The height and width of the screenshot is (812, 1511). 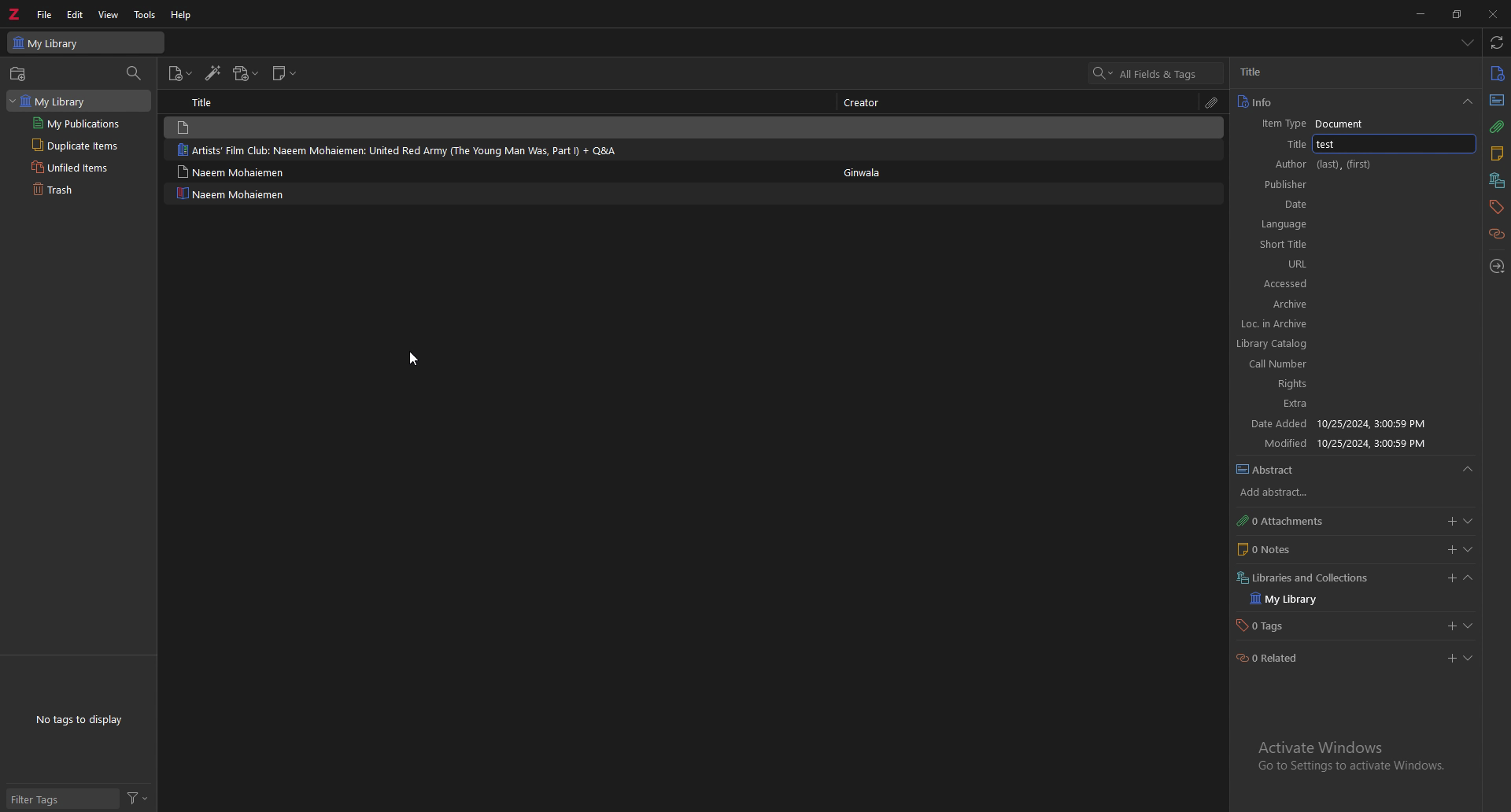 I want to click on locate, so click(x=1498, y=266).